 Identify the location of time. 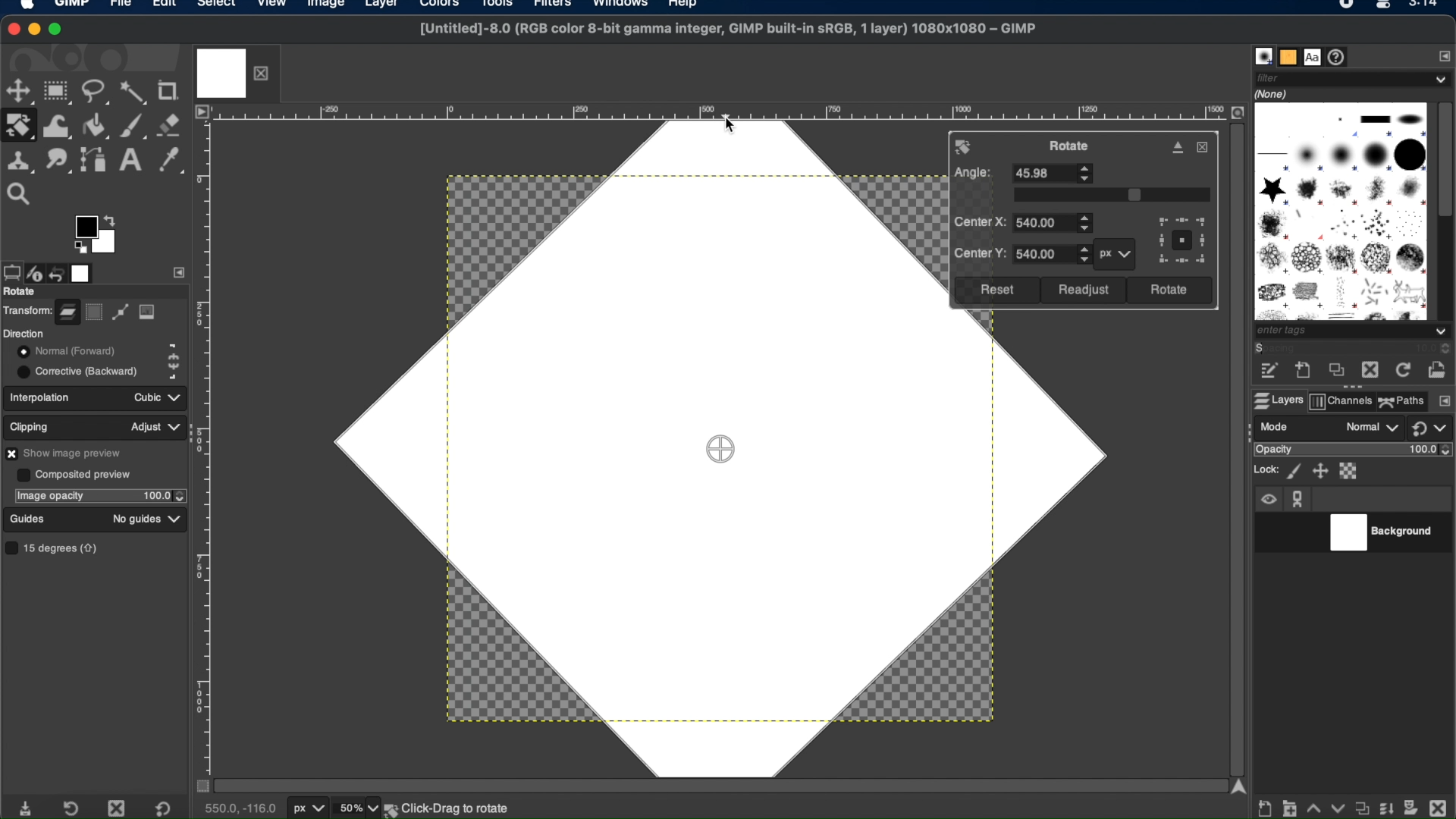
(1426, 8).